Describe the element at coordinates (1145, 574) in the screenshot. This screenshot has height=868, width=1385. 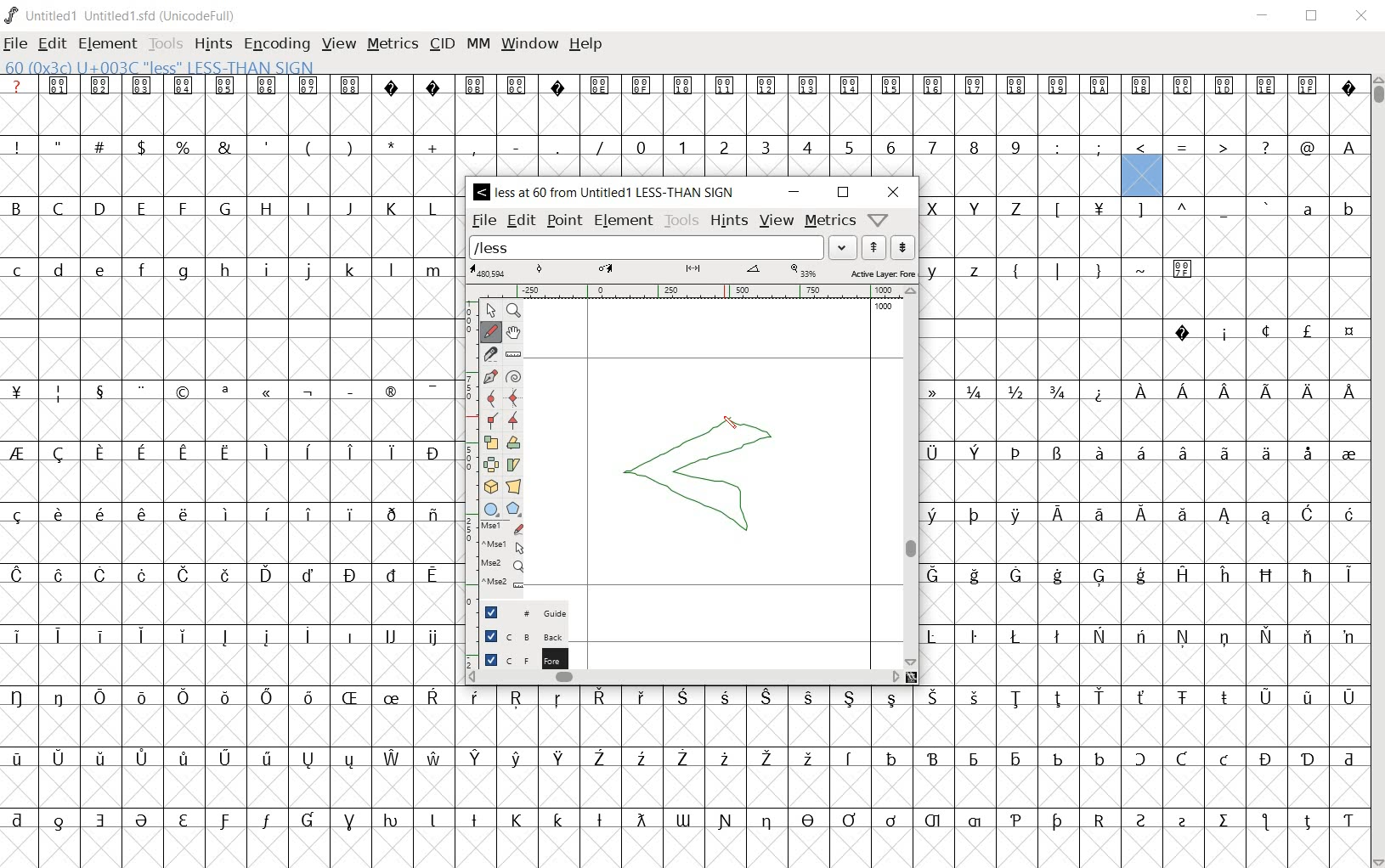
I see `special letters` at that location.